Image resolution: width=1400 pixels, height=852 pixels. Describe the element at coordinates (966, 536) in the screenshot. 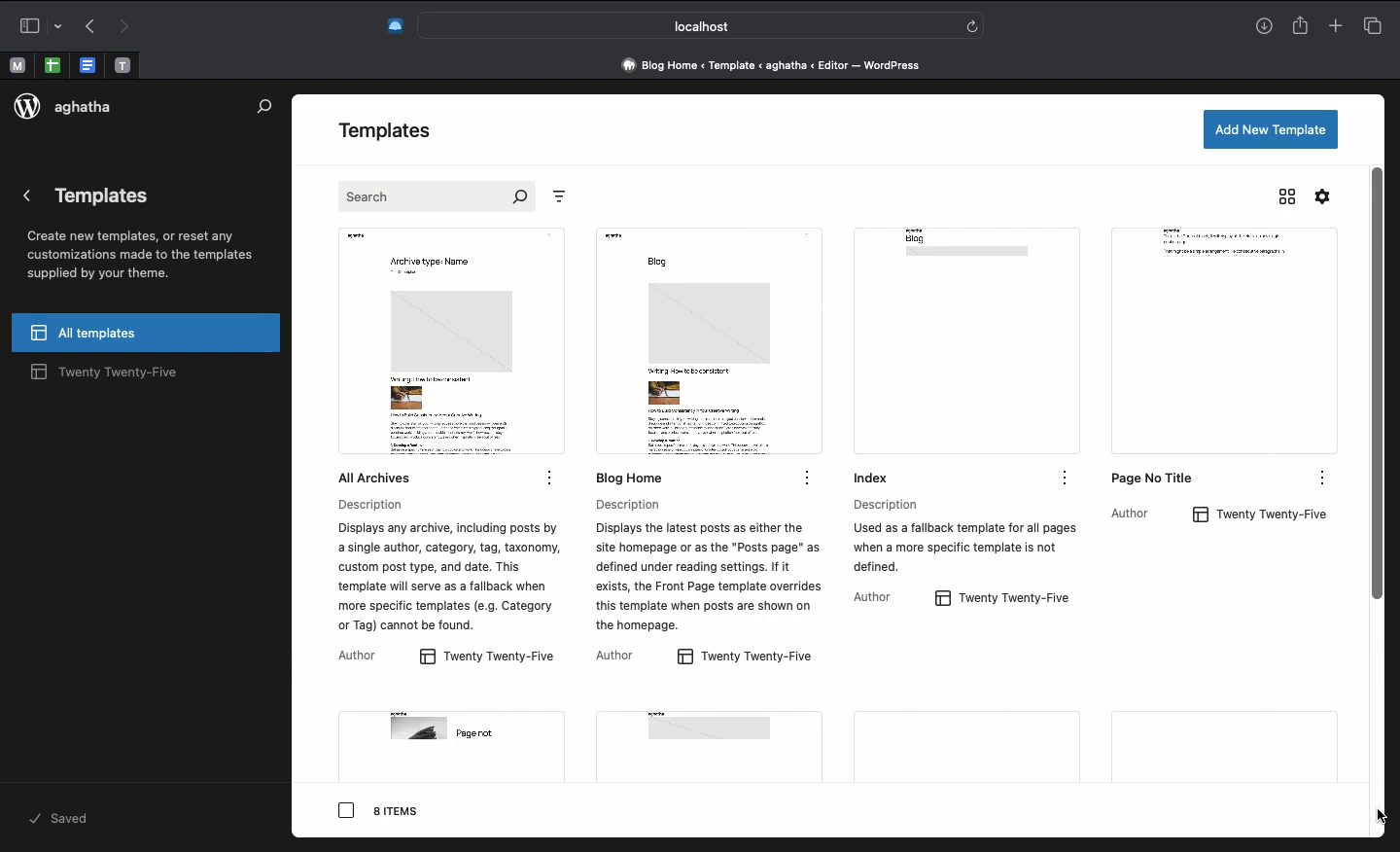

I see `Description` at that location.